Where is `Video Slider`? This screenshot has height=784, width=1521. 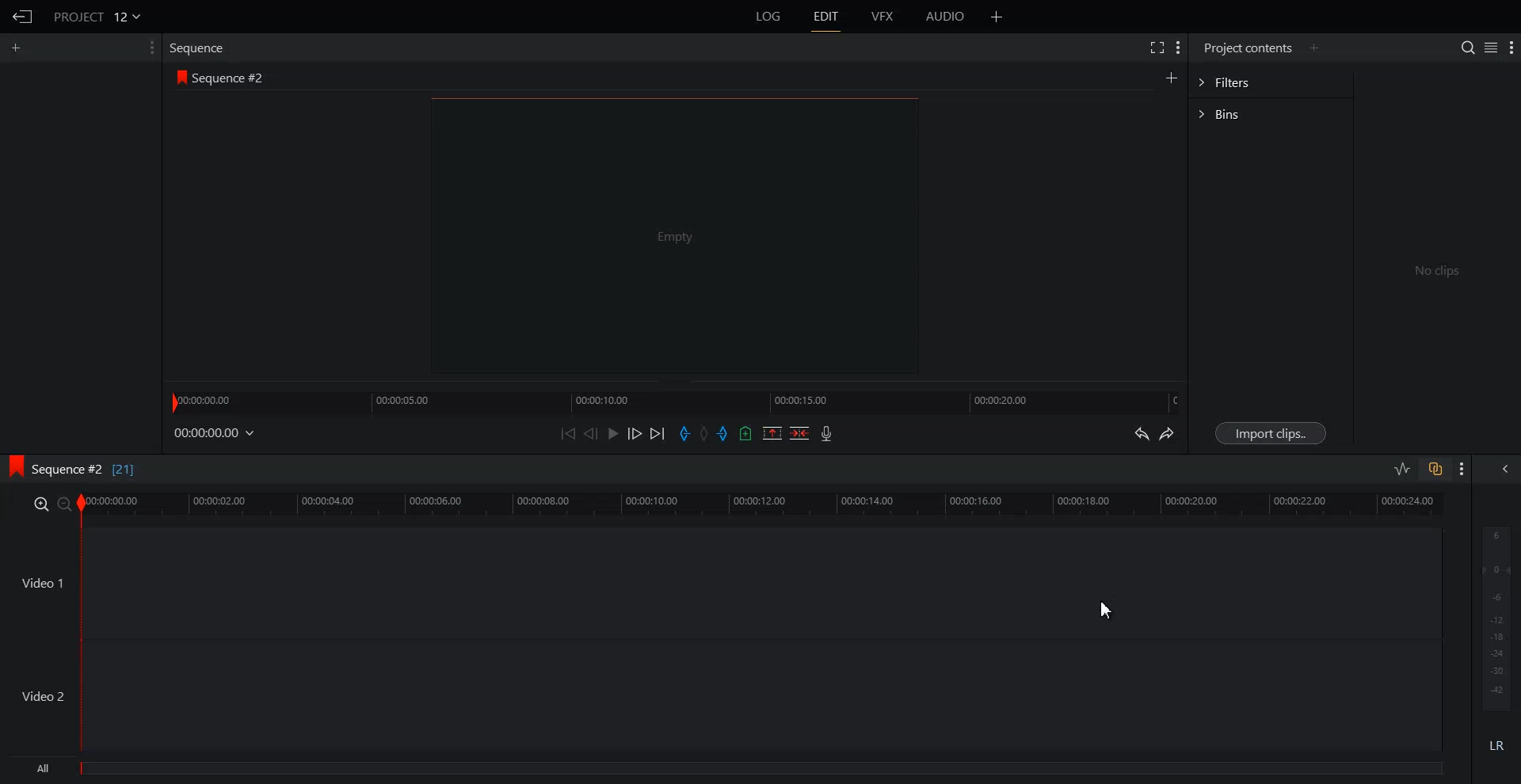 Video Slider is located at coordinates (770, 504).